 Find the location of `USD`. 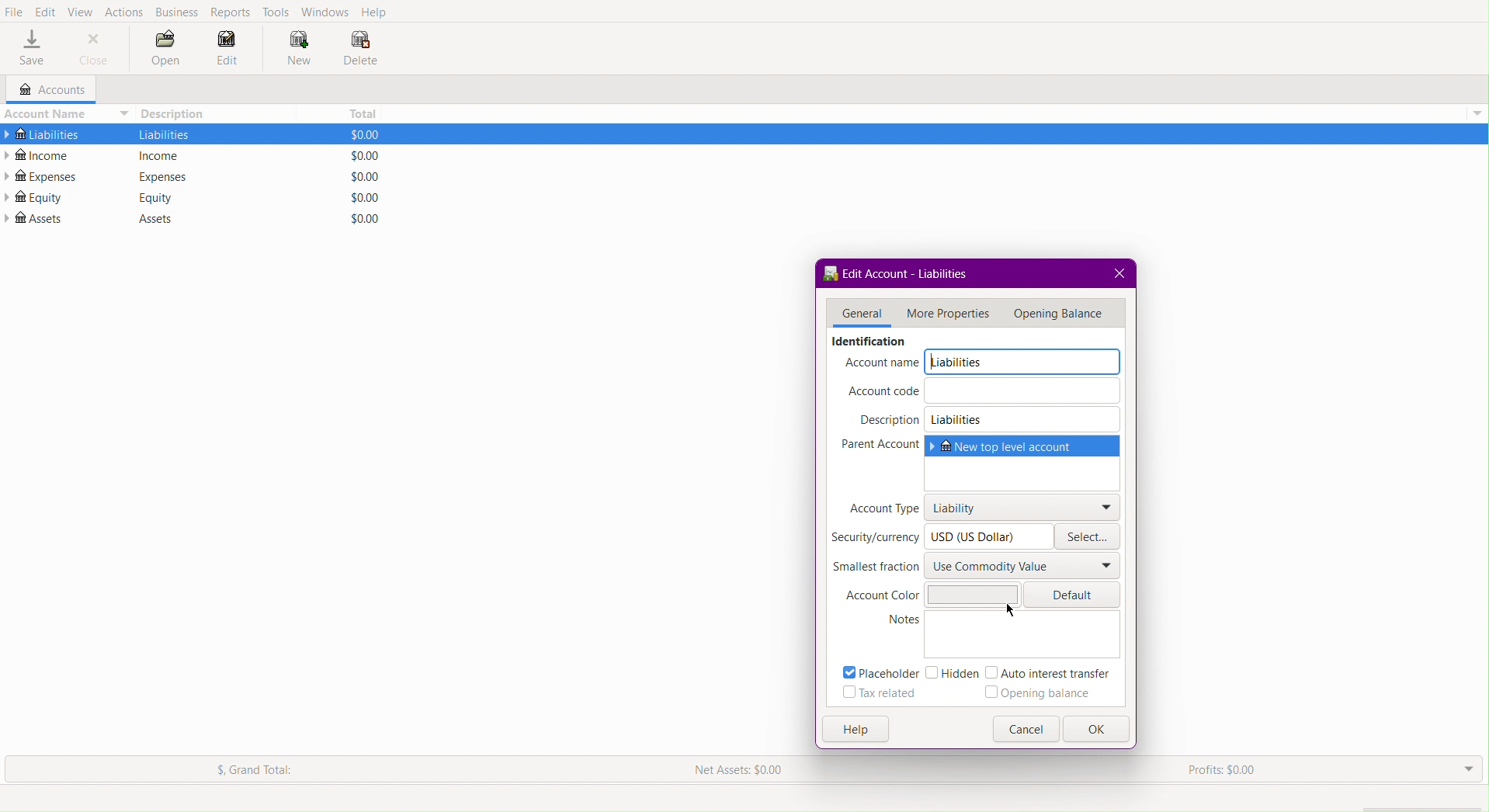

USD is located at coordinates (988, 538).